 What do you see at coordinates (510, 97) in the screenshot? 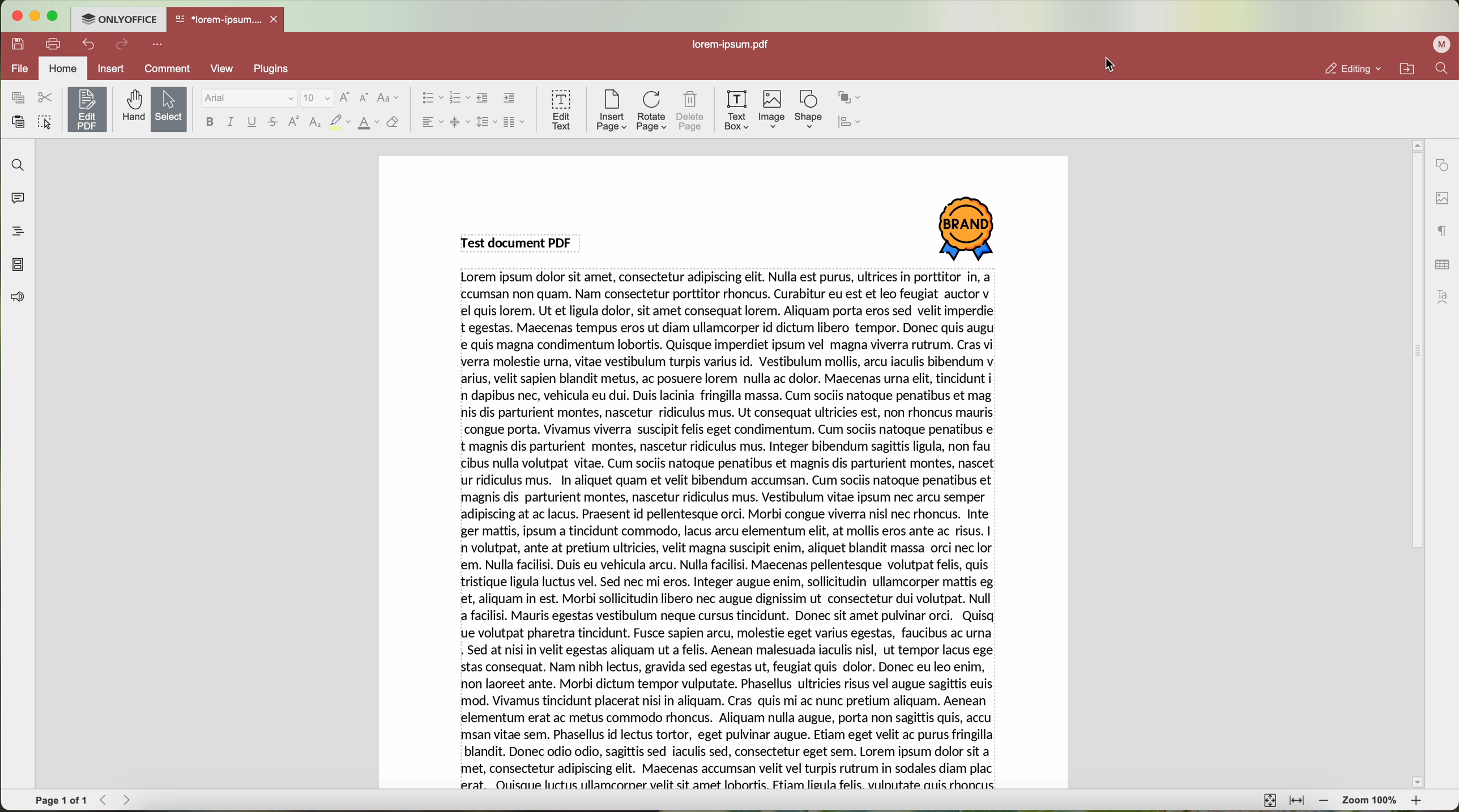
I see `increase indent` at bounding box center [510, 97].